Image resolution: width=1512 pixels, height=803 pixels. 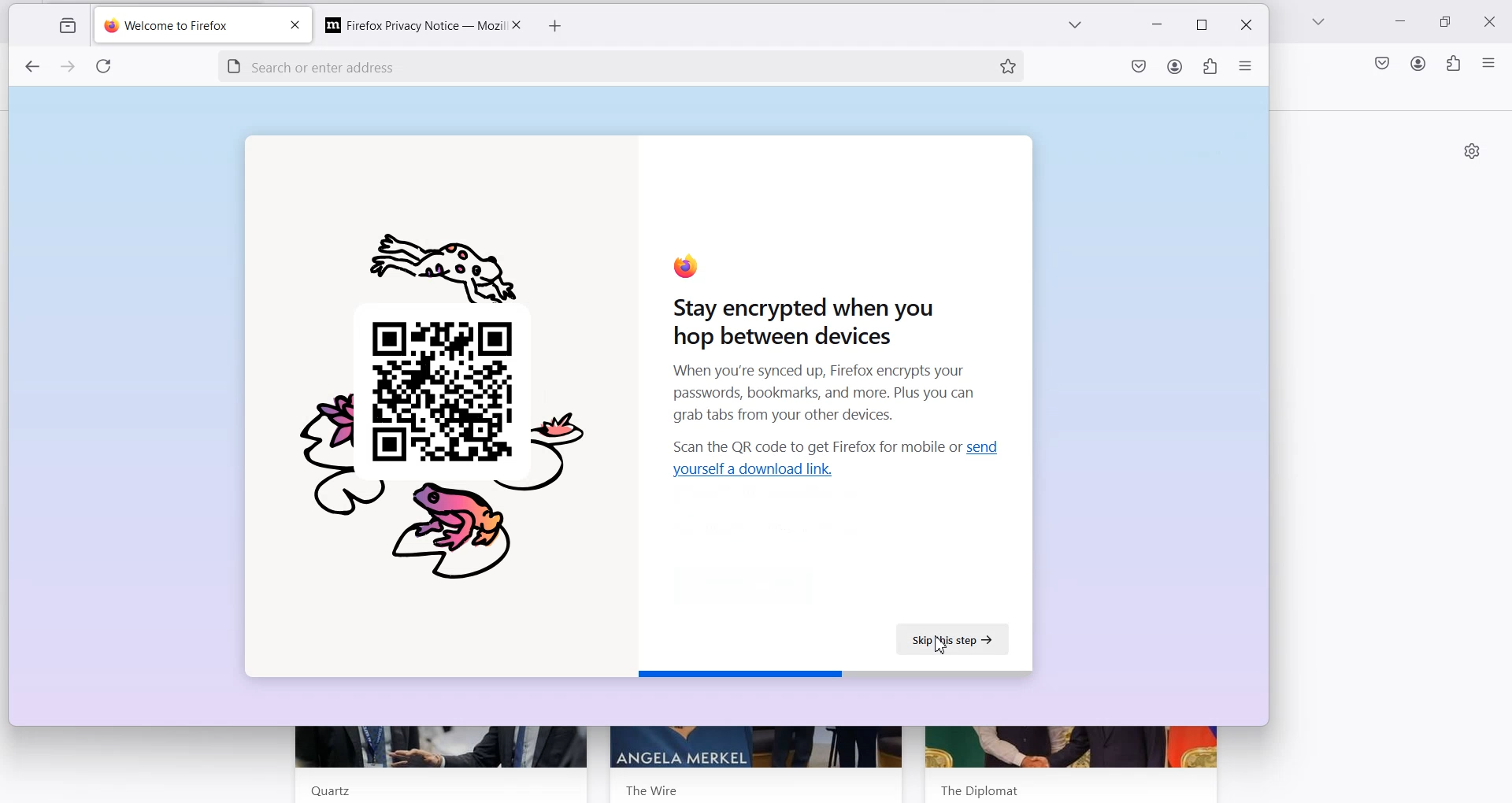 What do you see at coordinates (435, 394) in the screenshot?
I see `Picture` at bounding box center [435, 394].